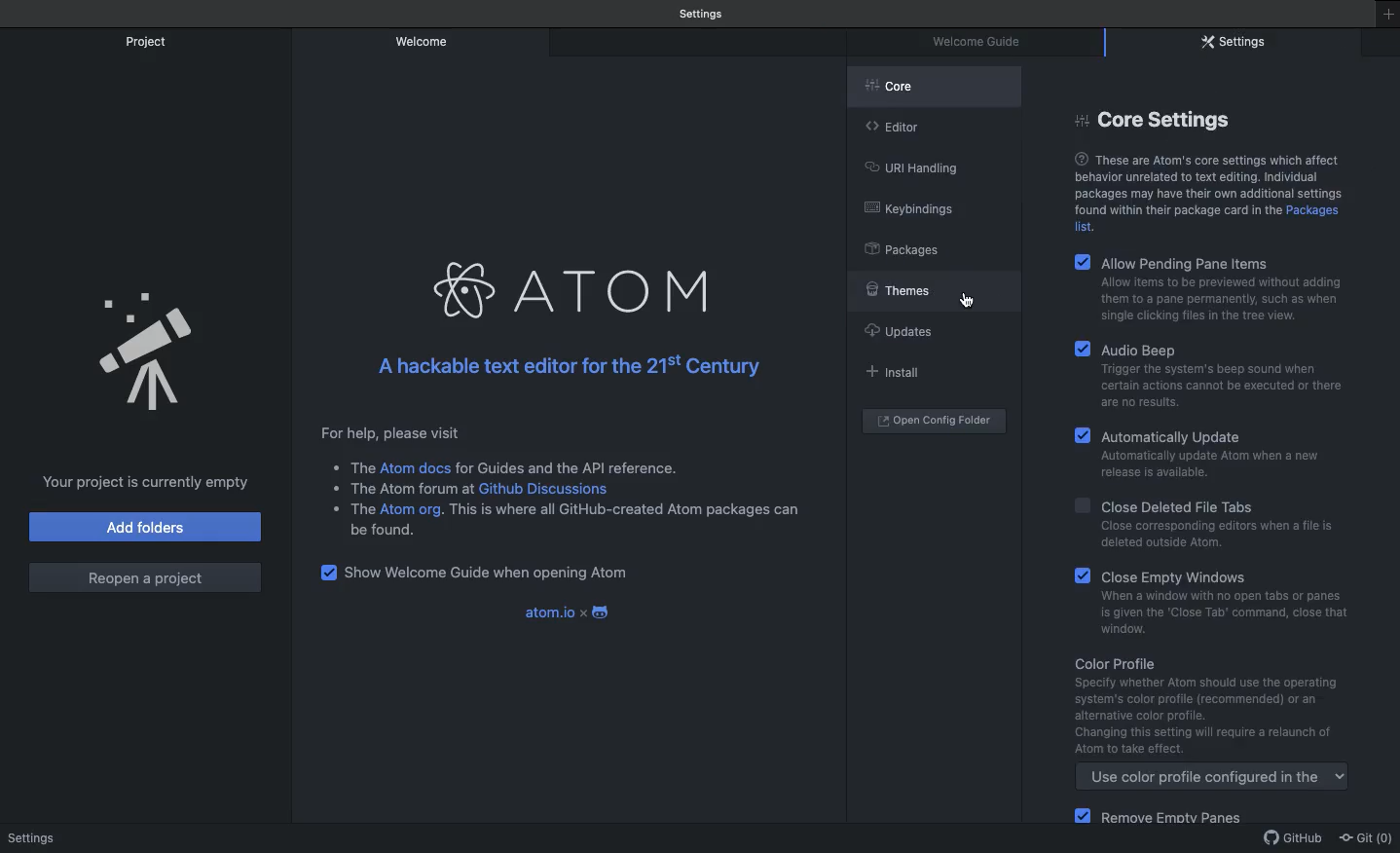 The height and width of the screenshot is (853, 1400). I want to click on atom logo, so click(468, 291).